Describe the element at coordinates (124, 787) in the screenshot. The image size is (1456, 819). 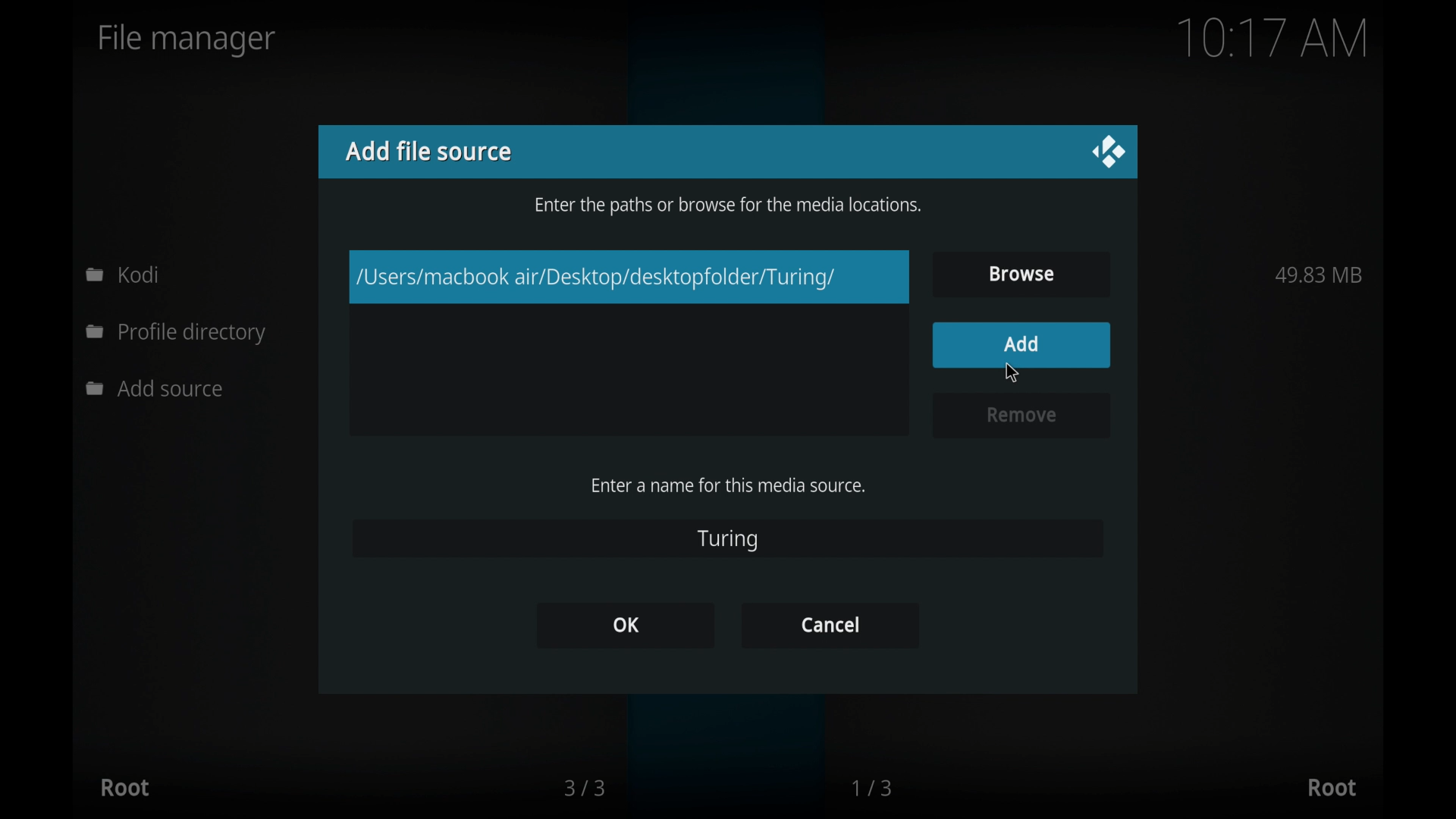
I see `root` at that location.